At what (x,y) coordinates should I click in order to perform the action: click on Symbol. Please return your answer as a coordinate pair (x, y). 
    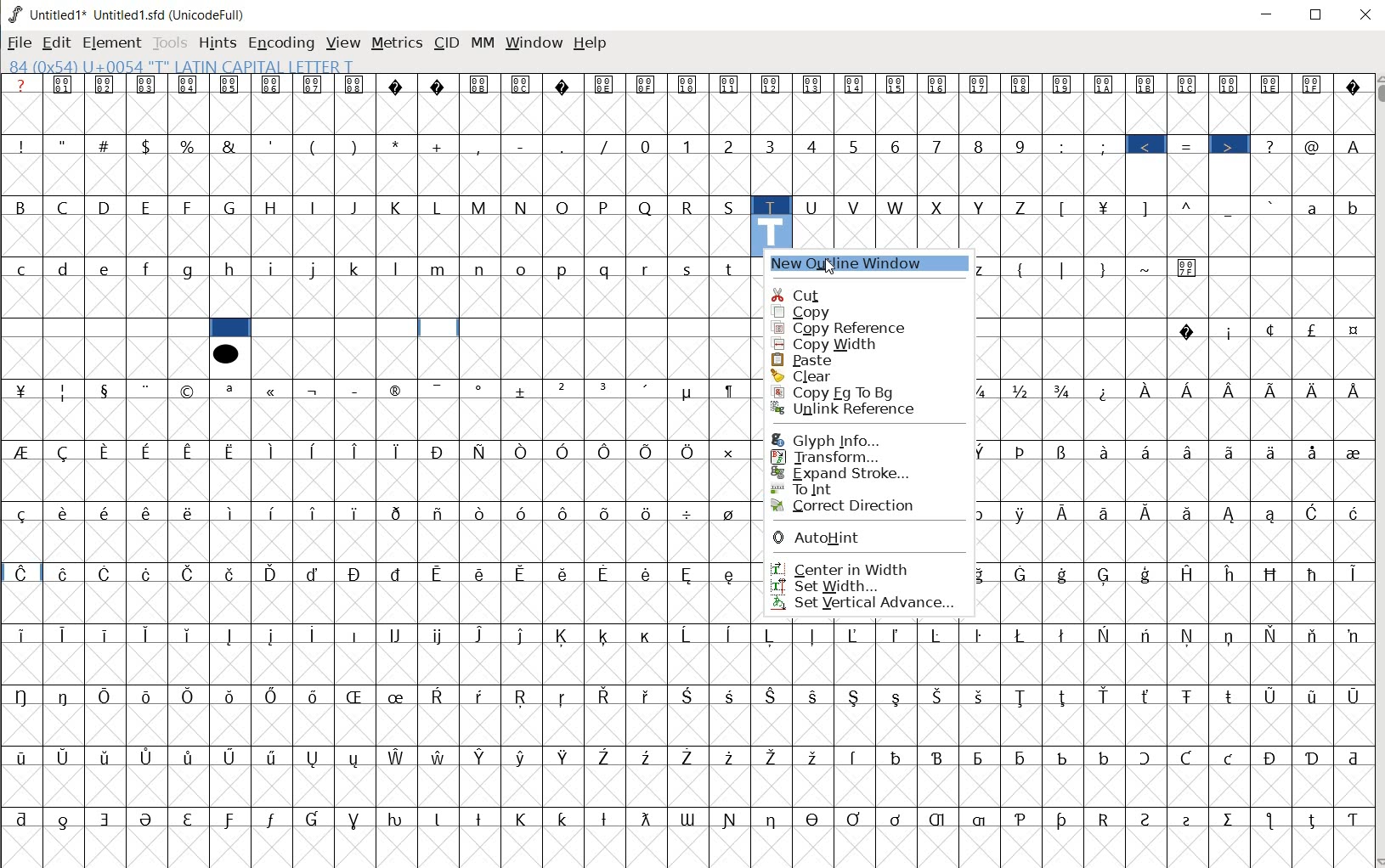
    Looking at the image, I should click on (980, 635).